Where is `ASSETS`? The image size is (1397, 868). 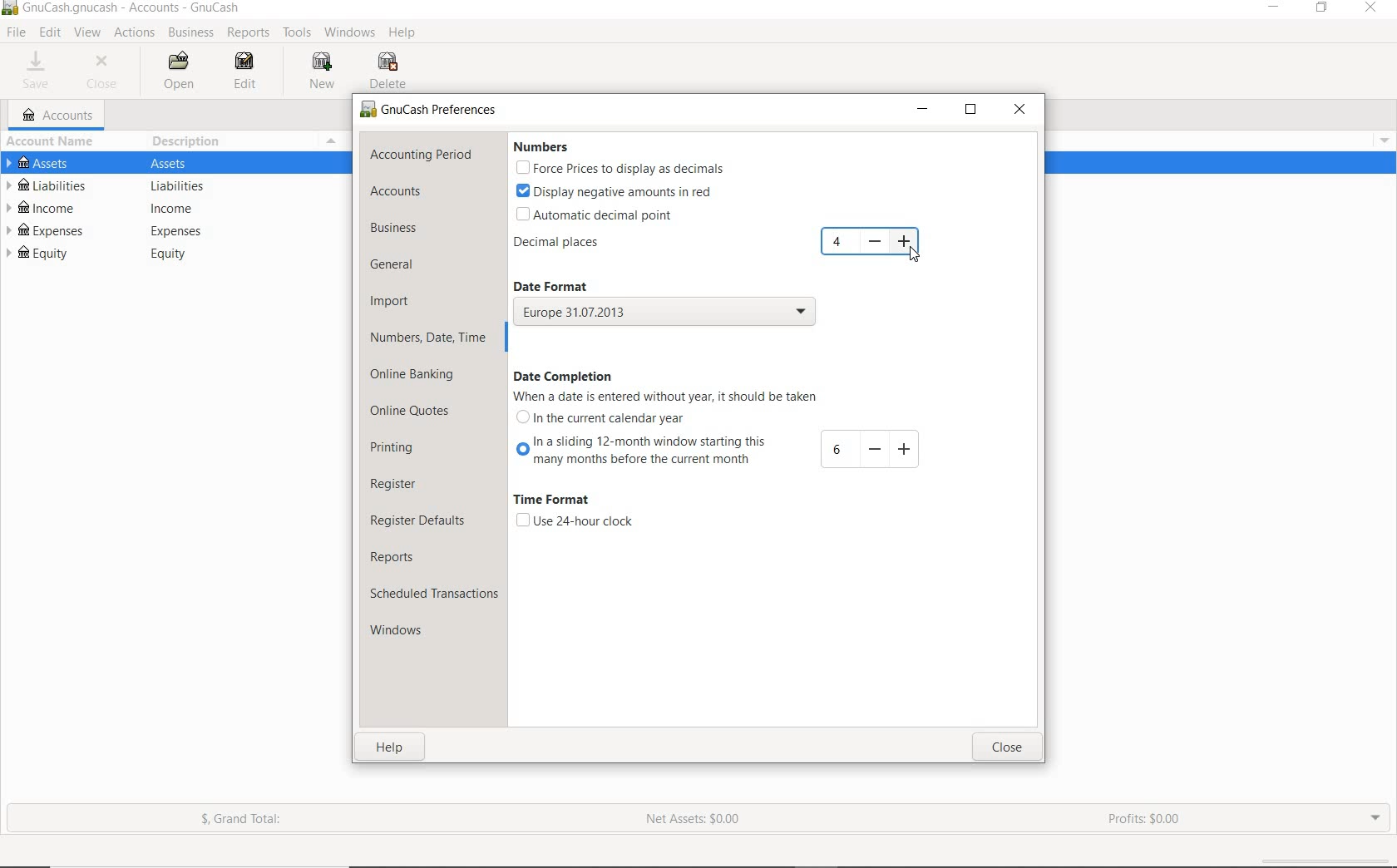
ASSETS is located at coordinates (177, 162).